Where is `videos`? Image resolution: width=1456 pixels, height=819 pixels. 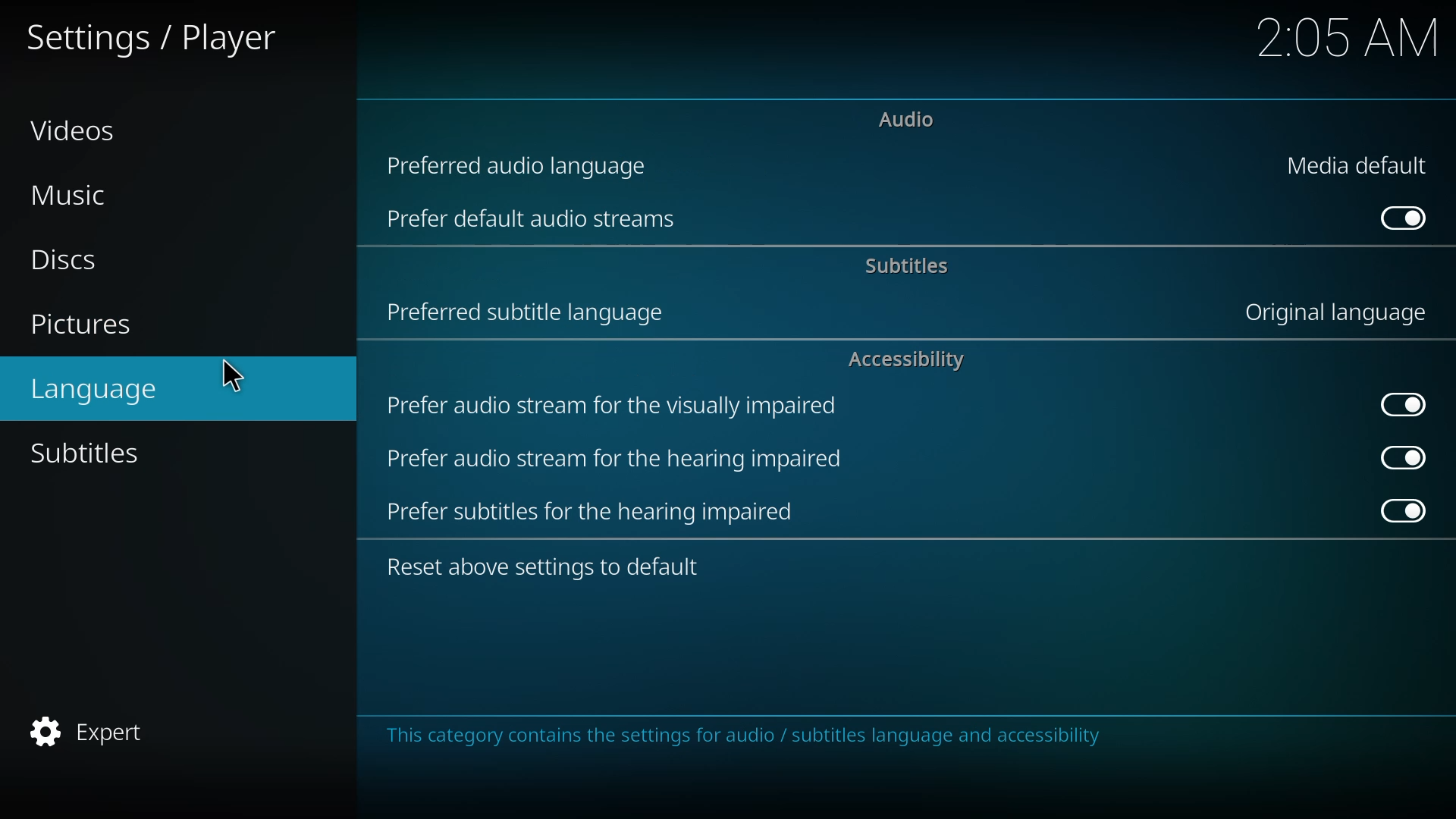
videos is located at coordinates (79, 129).